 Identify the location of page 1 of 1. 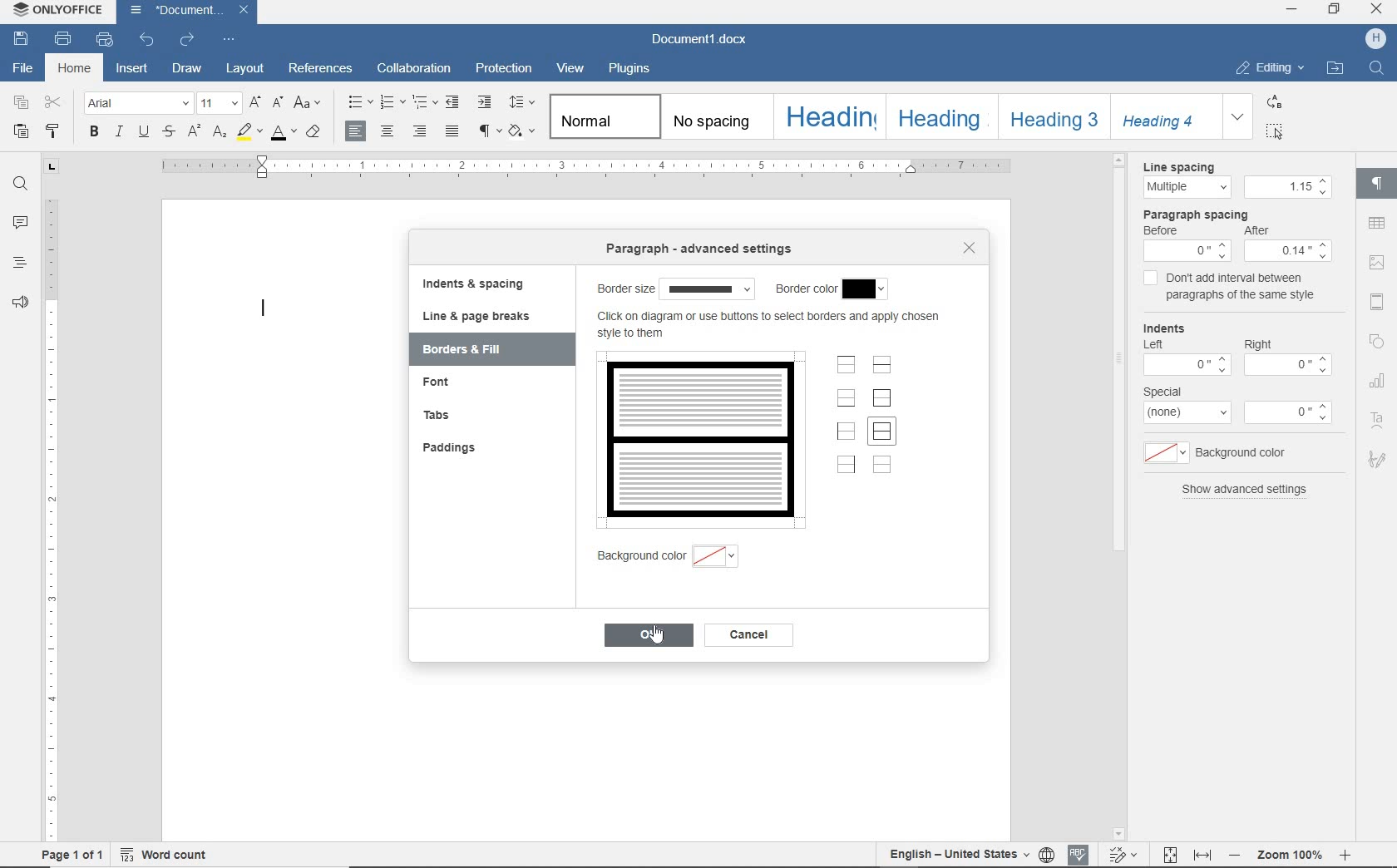
(71, 857).